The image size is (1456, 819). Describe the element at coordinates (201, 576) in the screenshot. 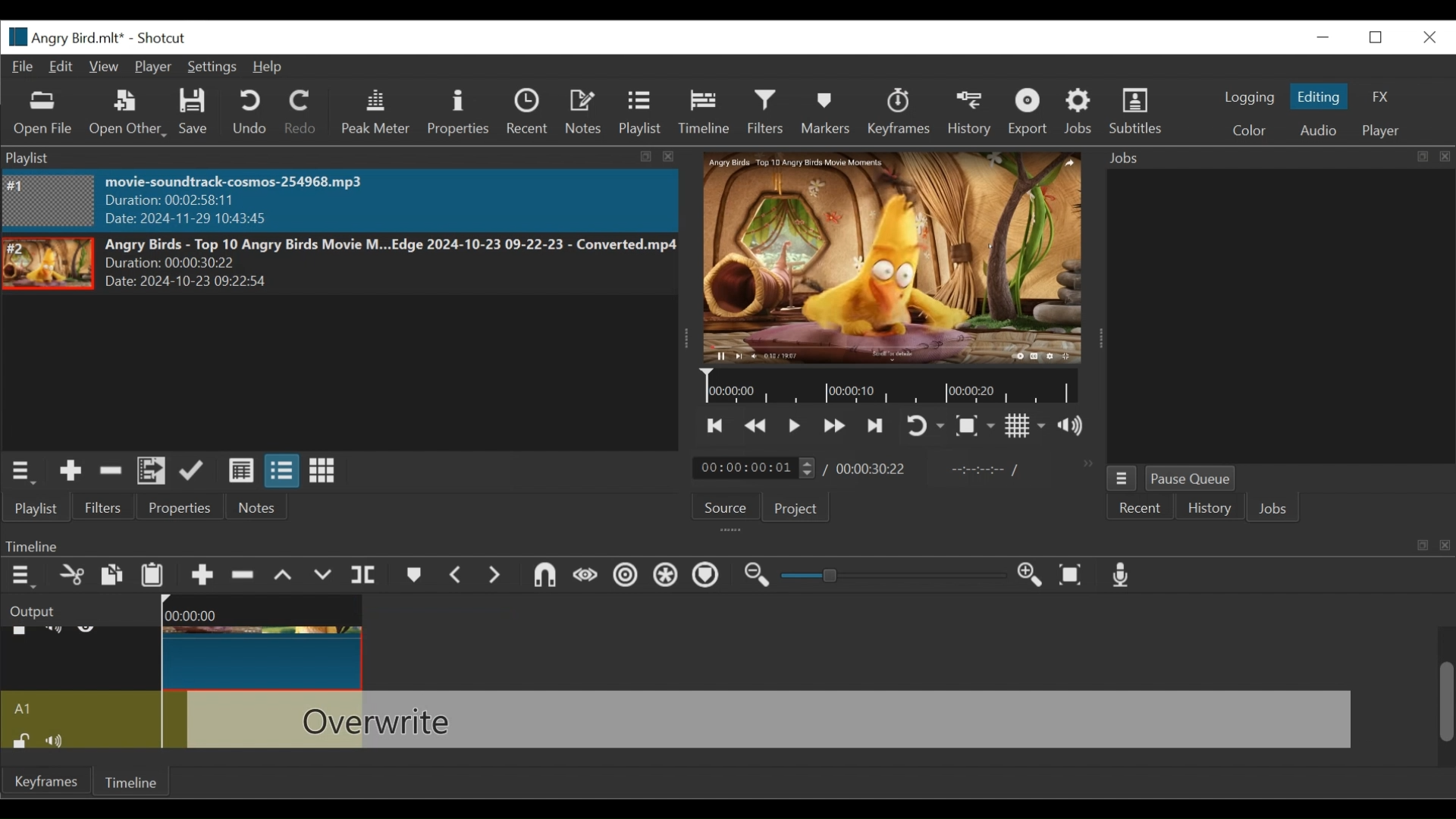

I see `Append` at that location.